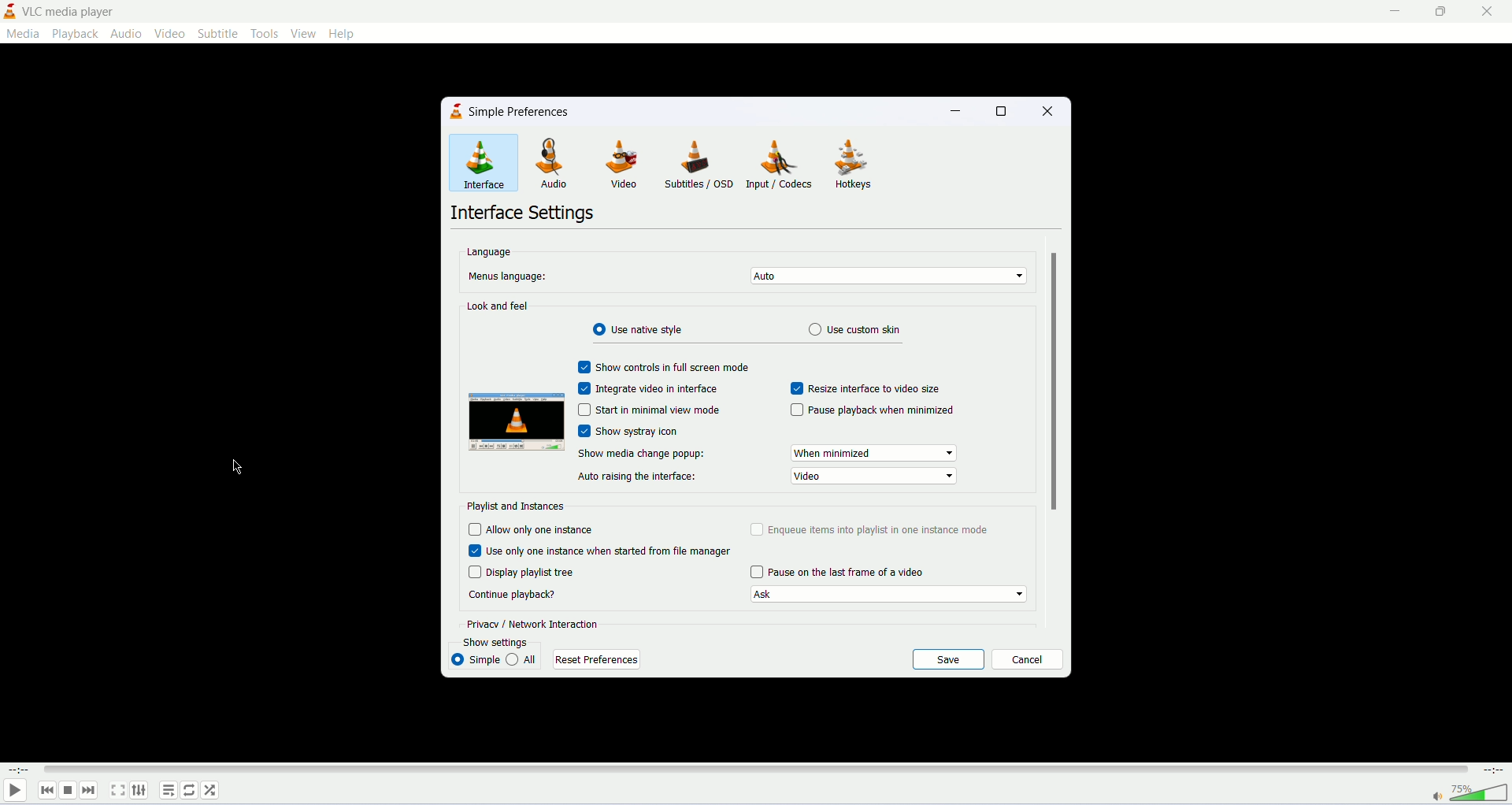 The width and height of the screenshot is (1512, 805). Describe the element at coordinates (1395, 12) in the screenshot. I see `minimize` at that location.